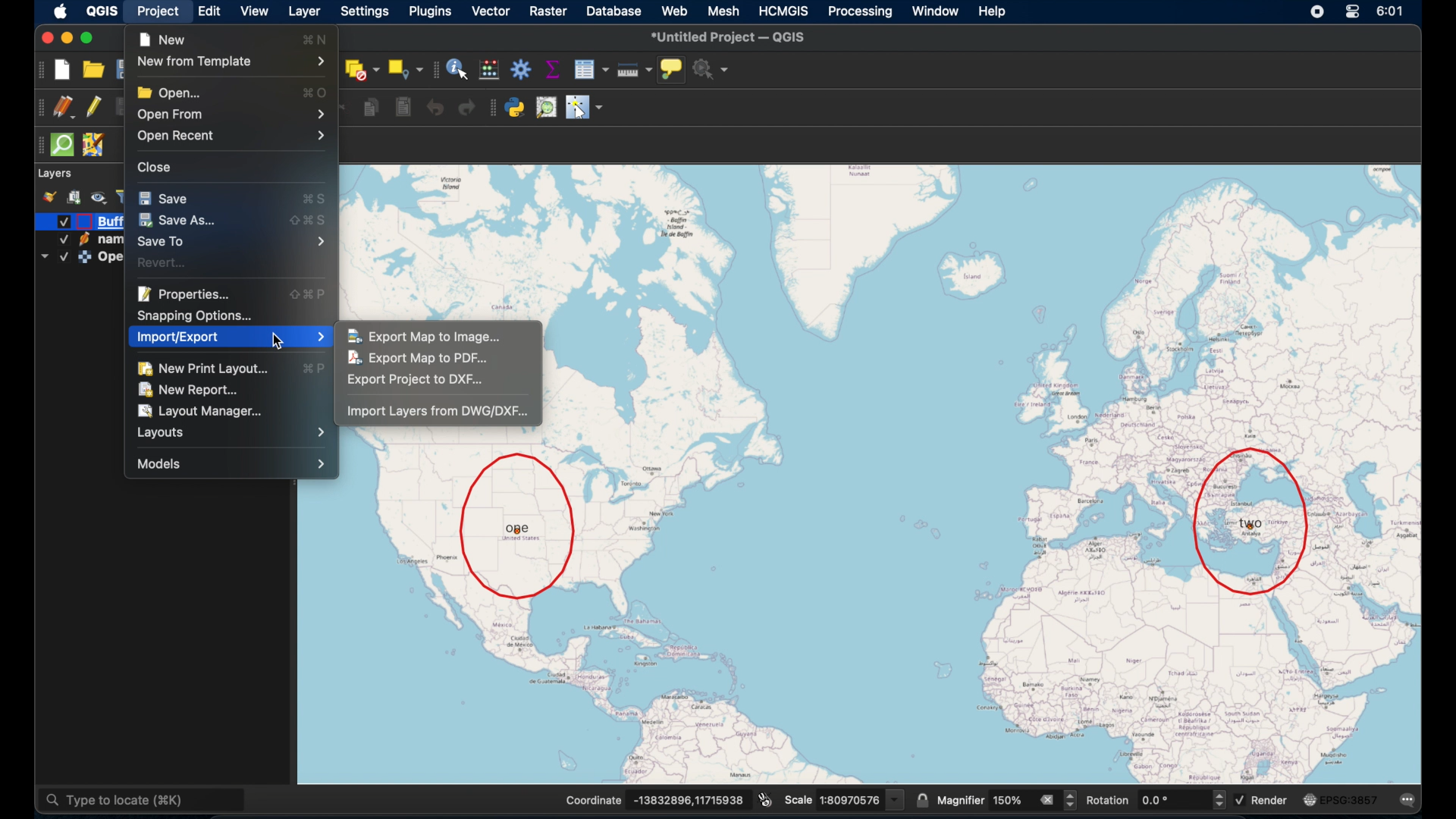 This screenshot has width=1456, height=819. Describe the element at coordinates (65, 108) in the screenshot. I see `current edits` at that location.